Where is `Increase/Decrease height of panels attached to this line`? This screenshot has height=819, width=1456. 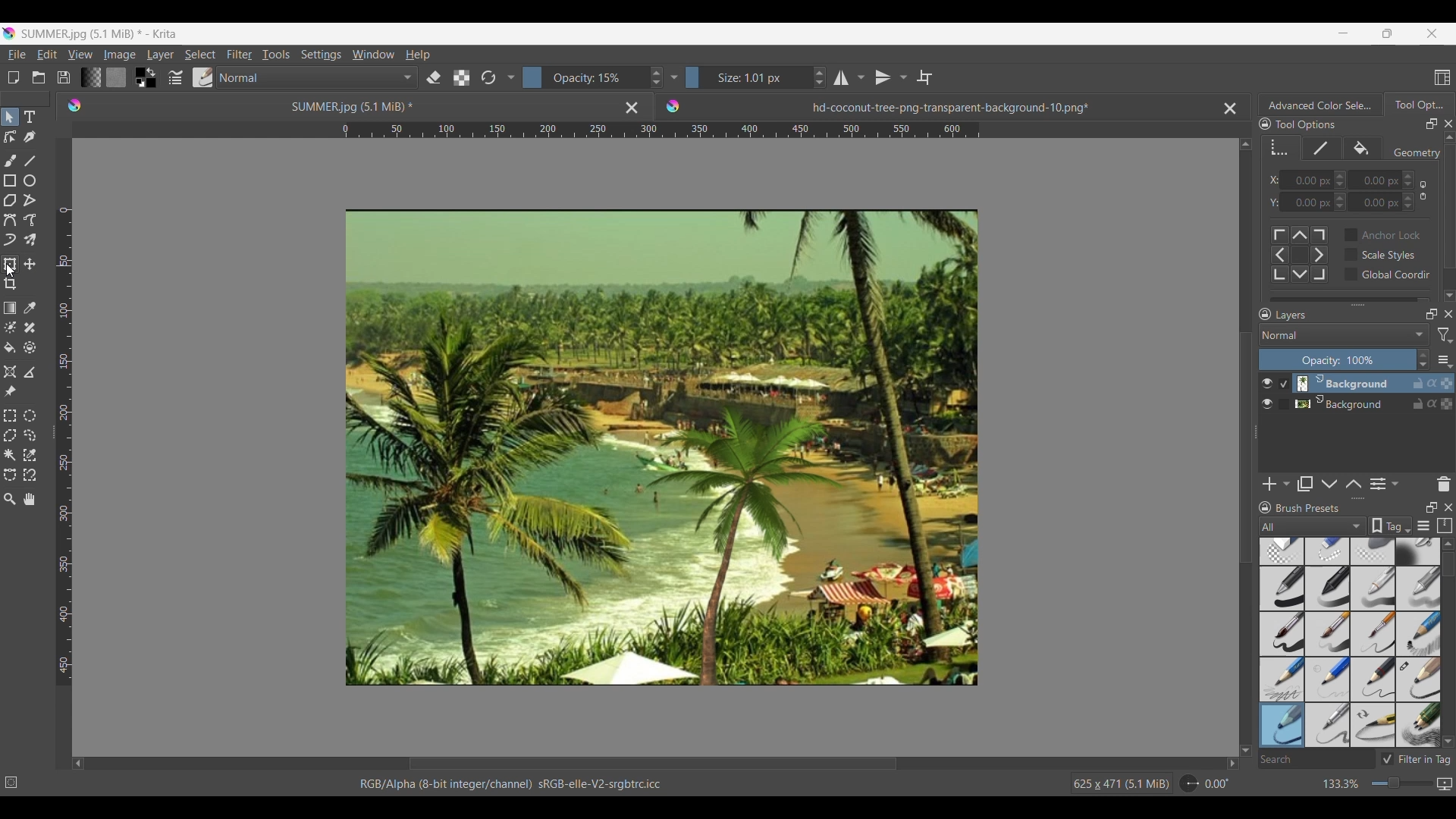 Increase/Decrease height of panels attached to this line is located at coordinates (1360, 498).